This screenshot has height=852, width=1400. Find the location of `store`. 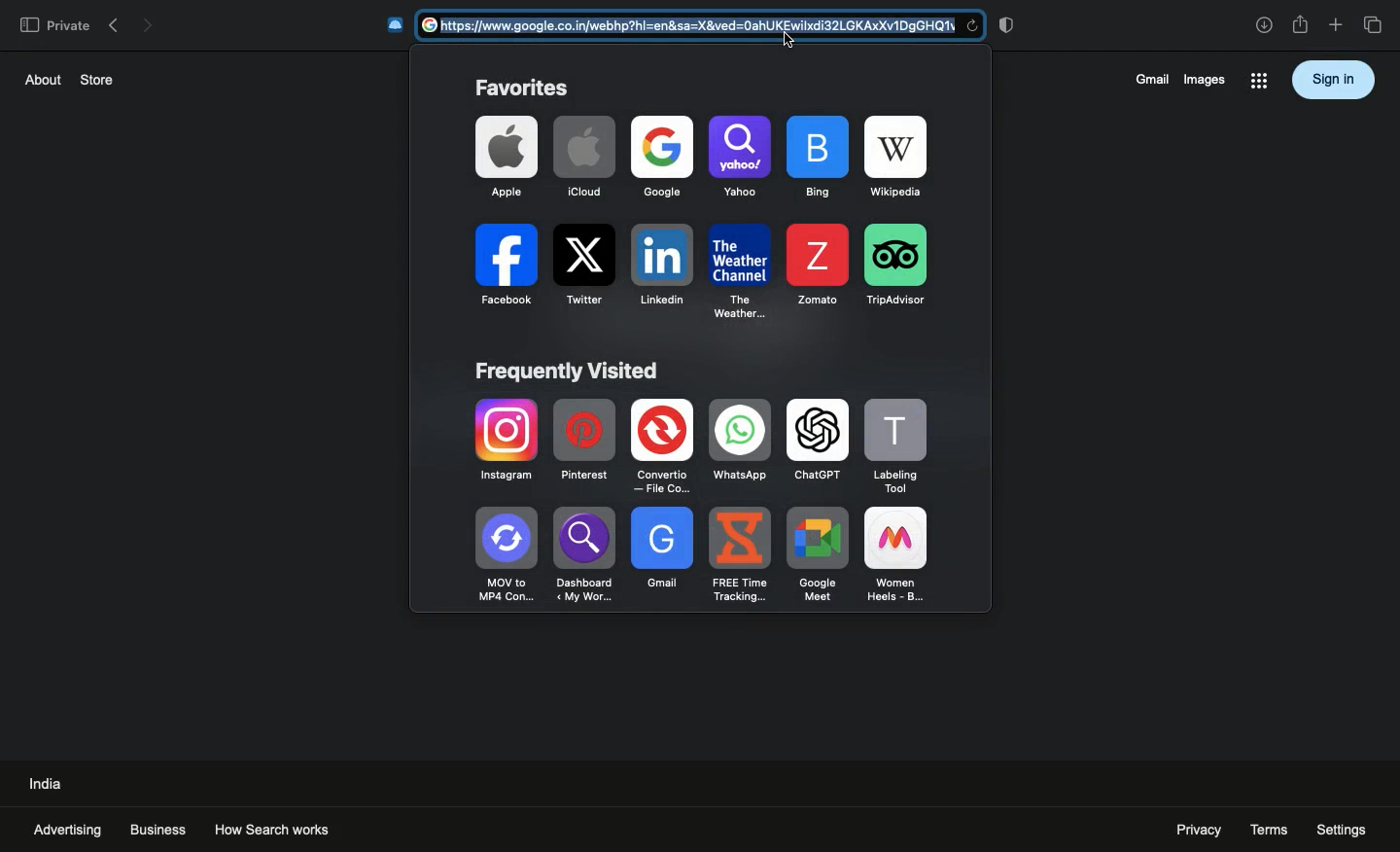

store is located at coordinates (98, 78).